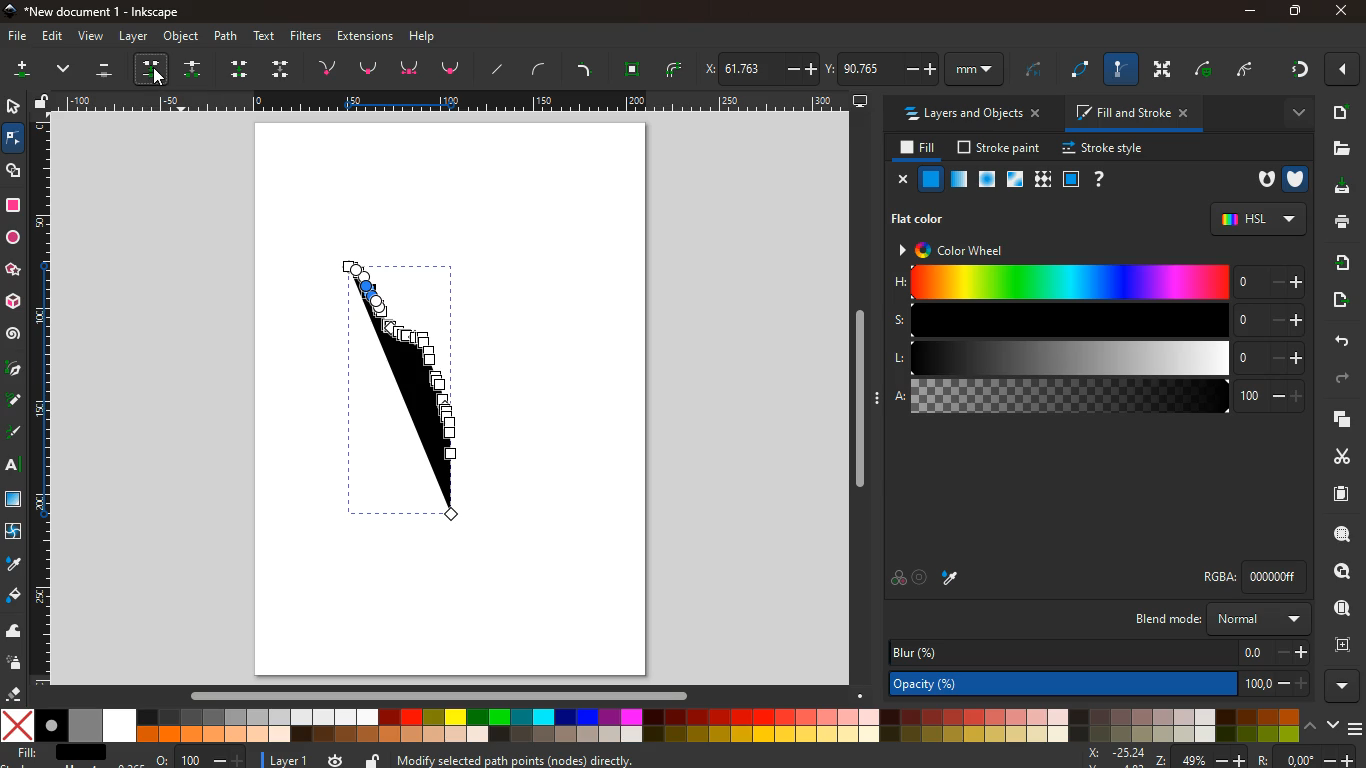  Describe the element at coordinates (1334, 456) in the screenshot. I see `cut` at that location.